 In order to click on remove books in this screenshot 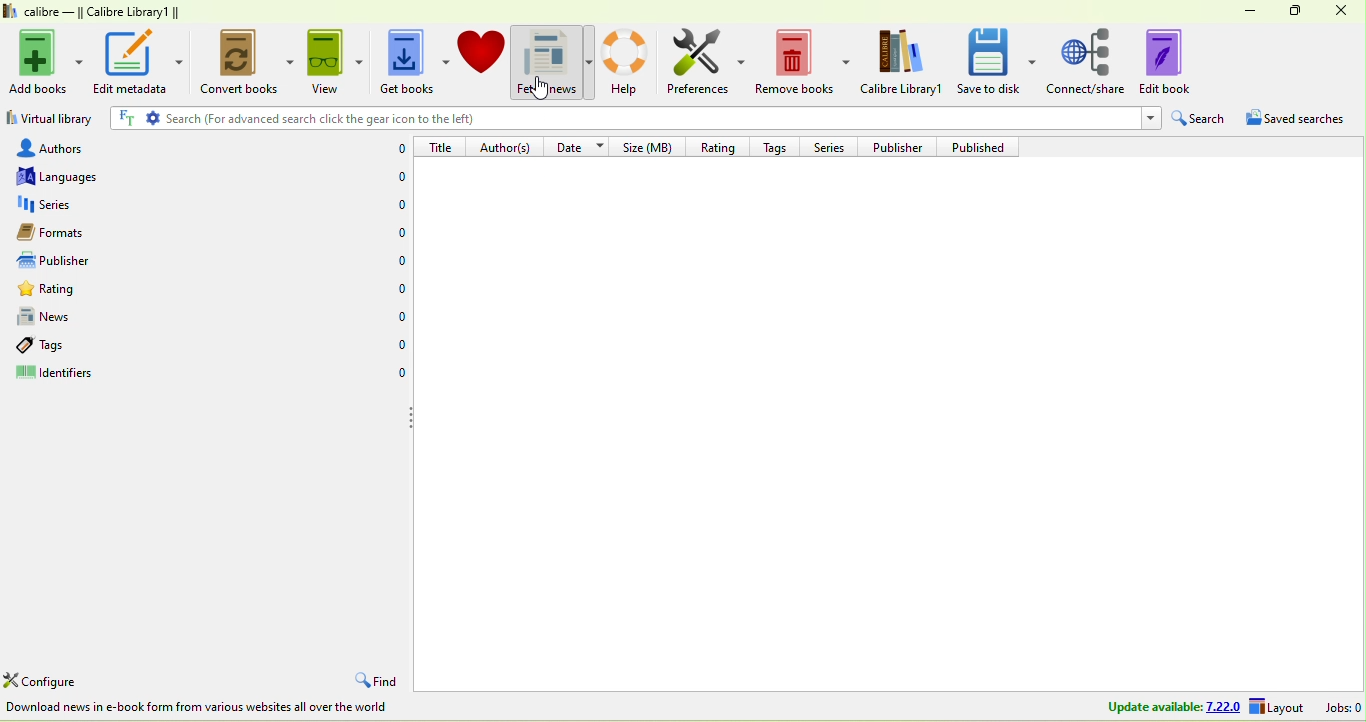, I will do `click(794, 63)`.